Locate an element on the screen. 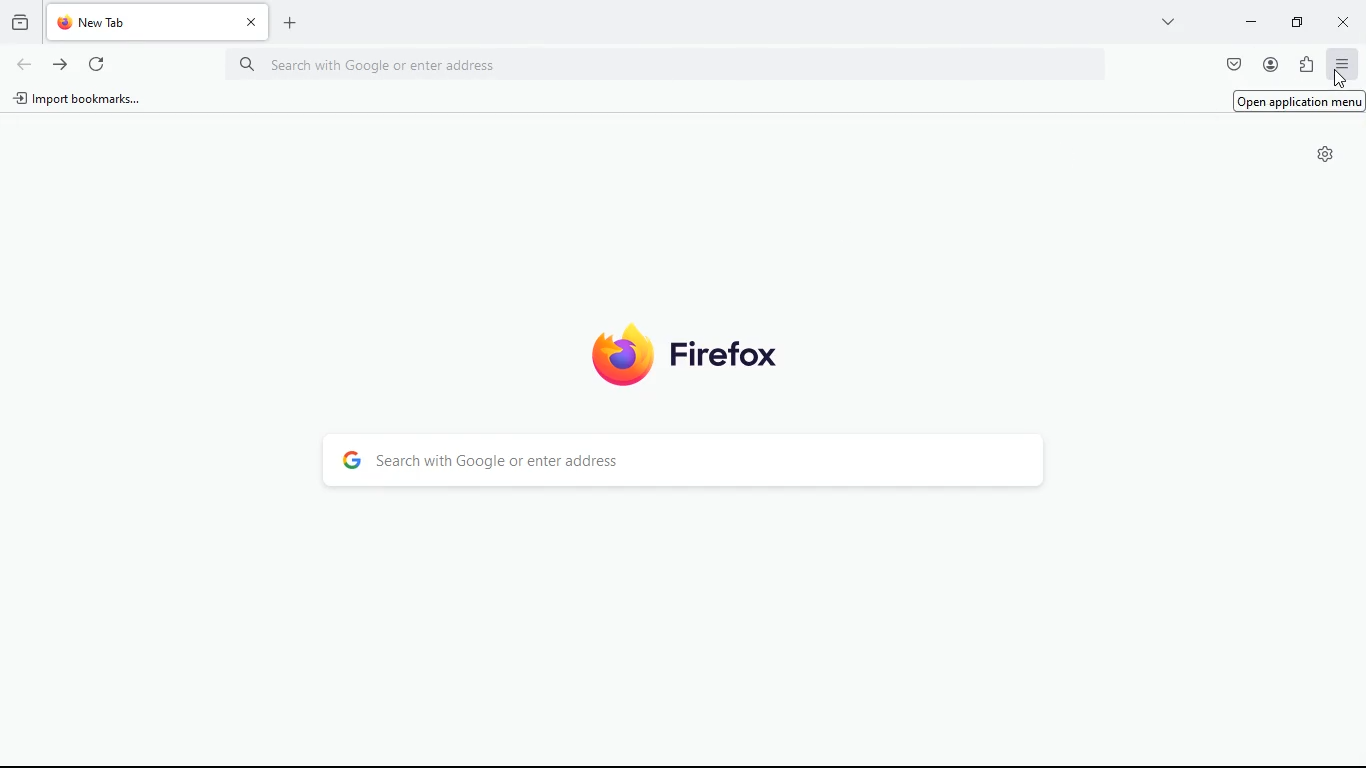 Image resolution: width=1366 pixels, height=768 pixels. url is located at coordinates (398, 64).